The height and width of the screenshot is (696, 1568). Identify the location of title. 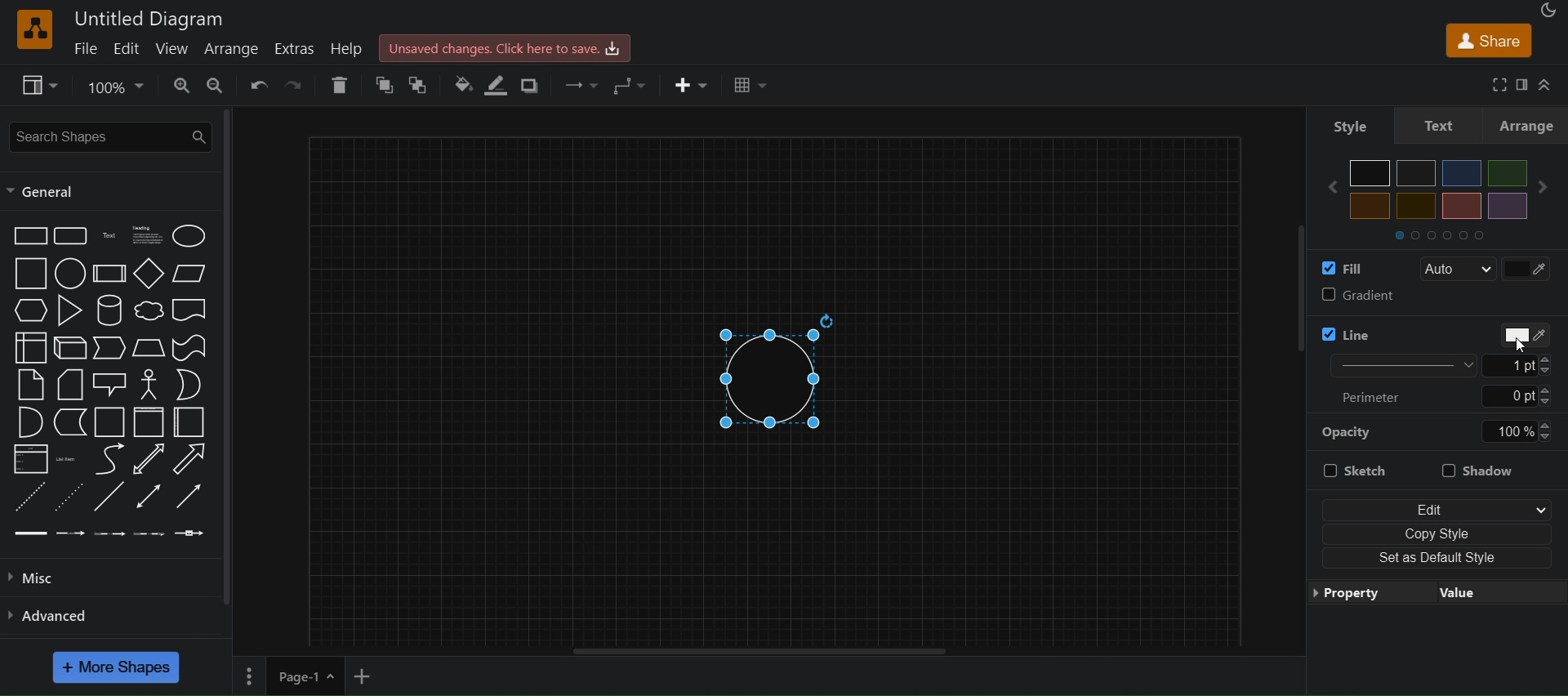
(150, 18).